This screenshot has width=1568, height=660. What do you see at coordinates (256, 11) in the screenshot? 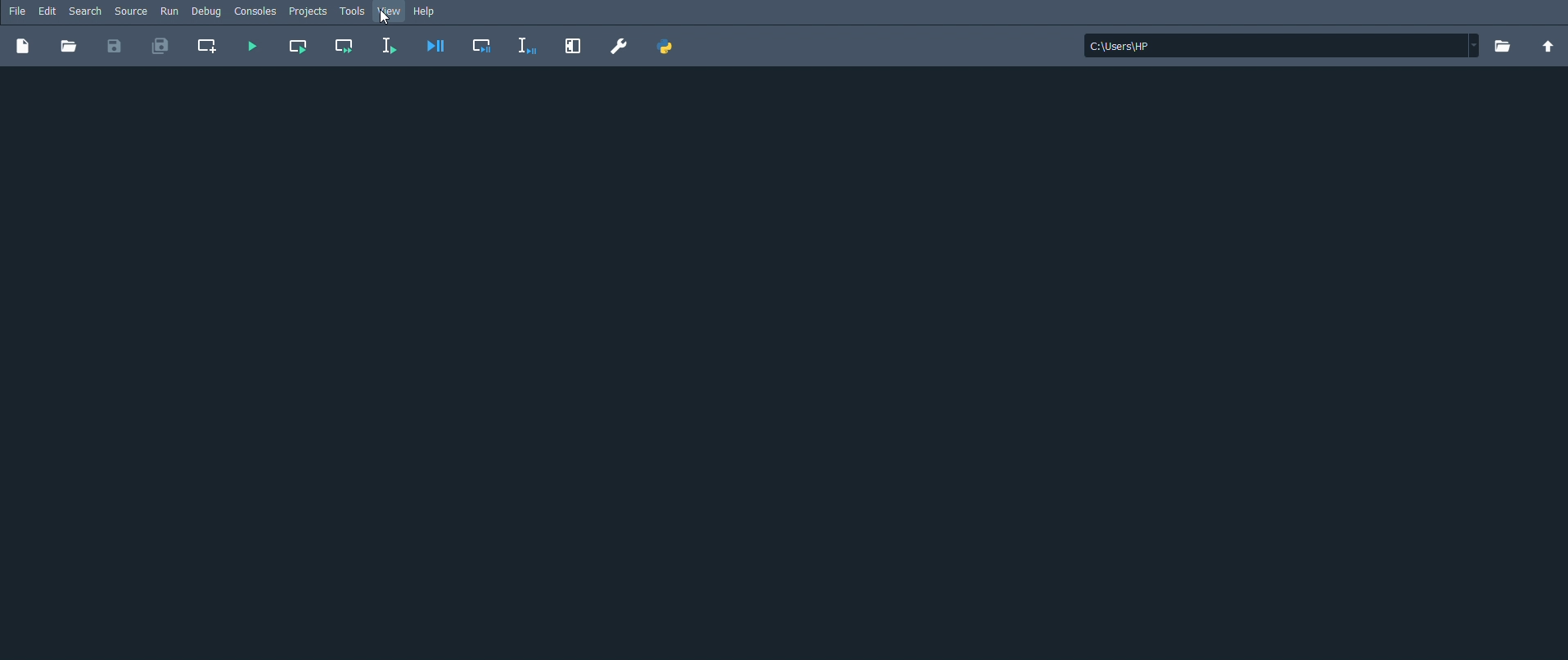
I see `Consoles` at bounding box center [256, 11].